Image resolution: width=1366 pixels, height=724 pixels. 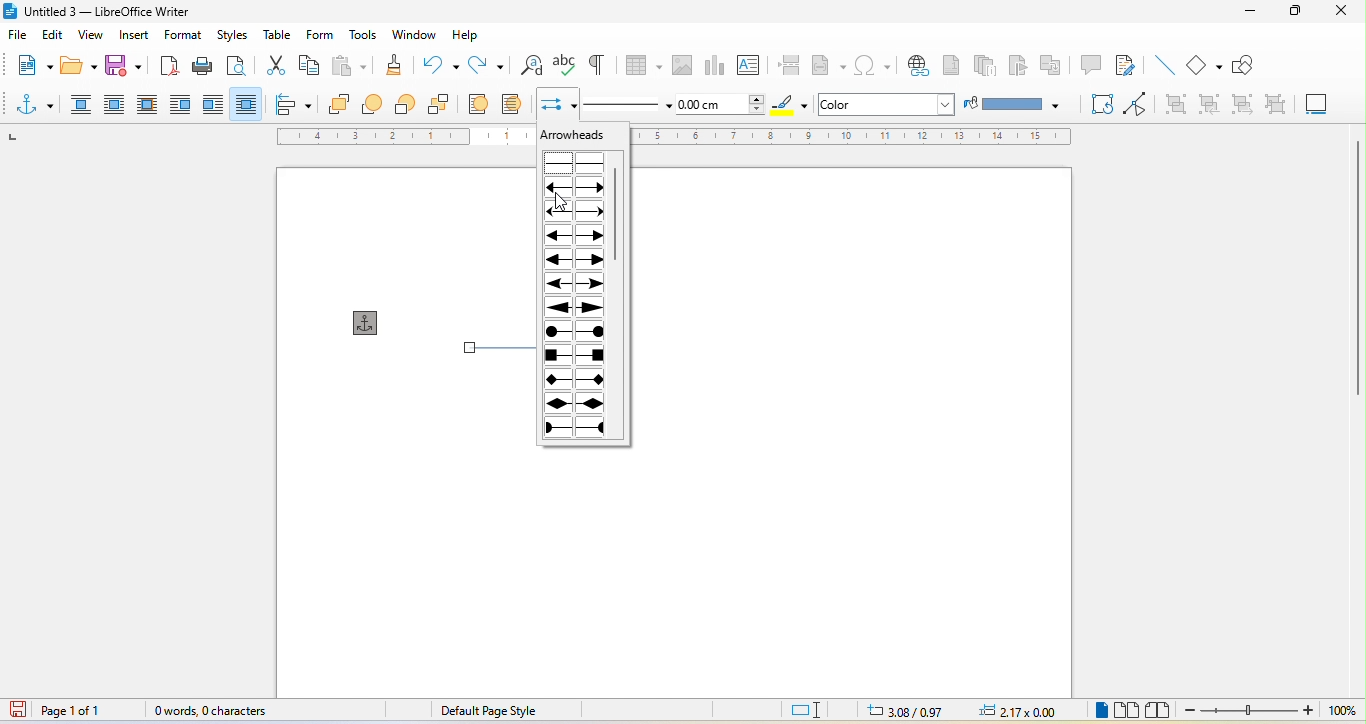 What do you see at coordinates (443, 107) in the screenshot?
I see `send to back` at bounding box center [443, 107].